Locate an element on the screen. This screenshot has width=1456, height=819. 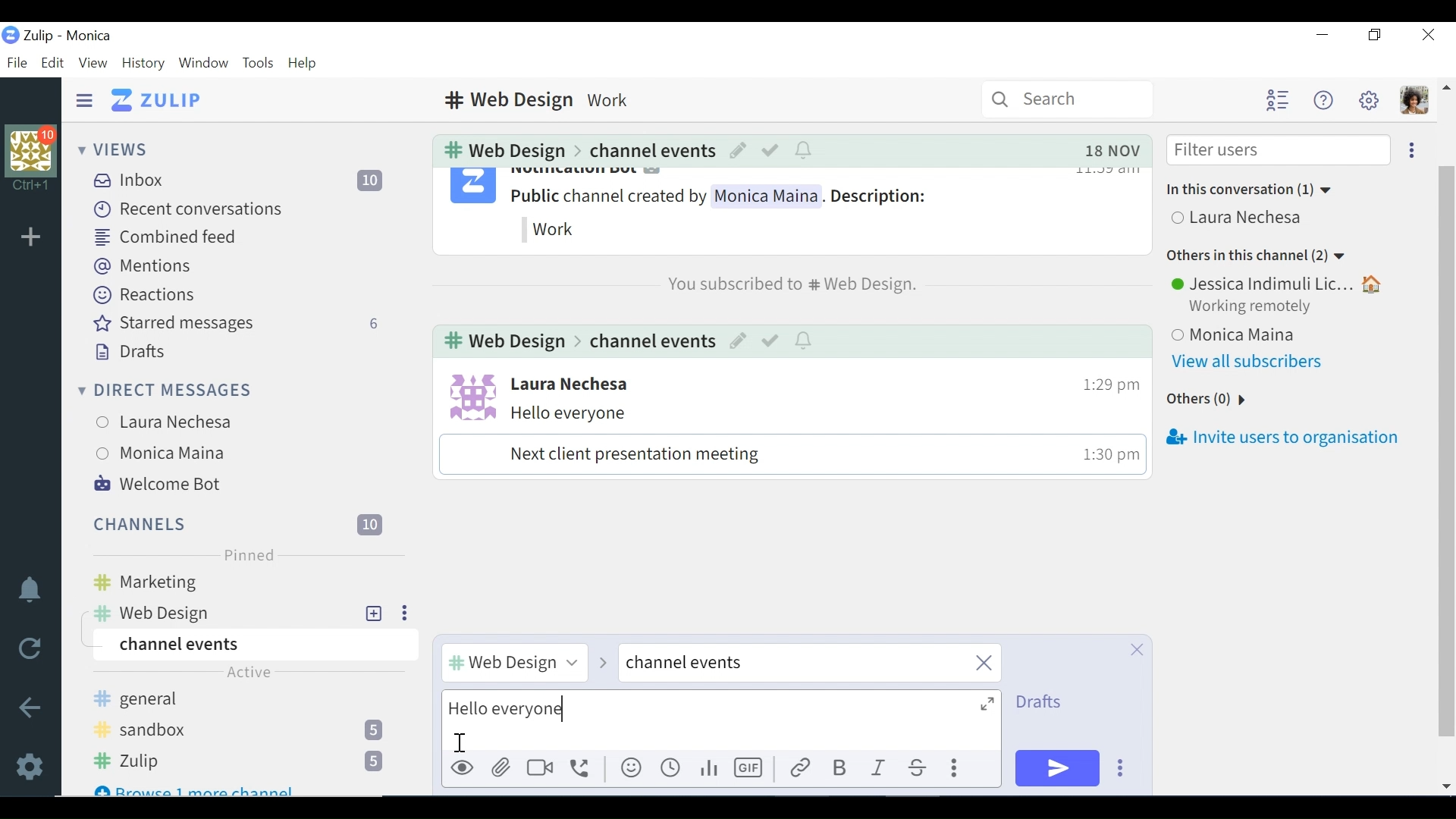
User is located at coordinates (1279, 283).